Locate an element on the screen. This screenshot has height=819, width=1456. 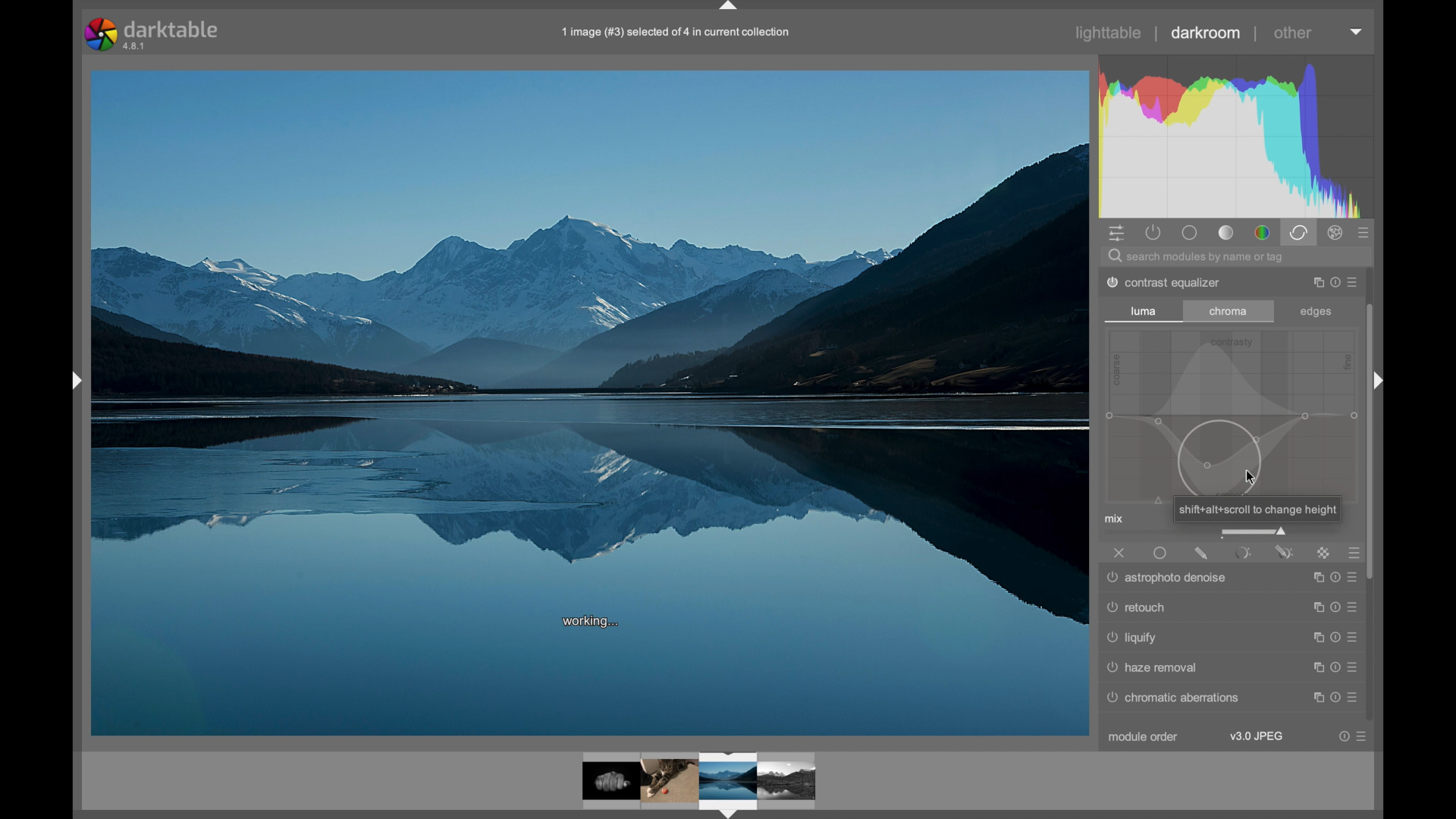
photo preview is located at coordinates (700, 782).